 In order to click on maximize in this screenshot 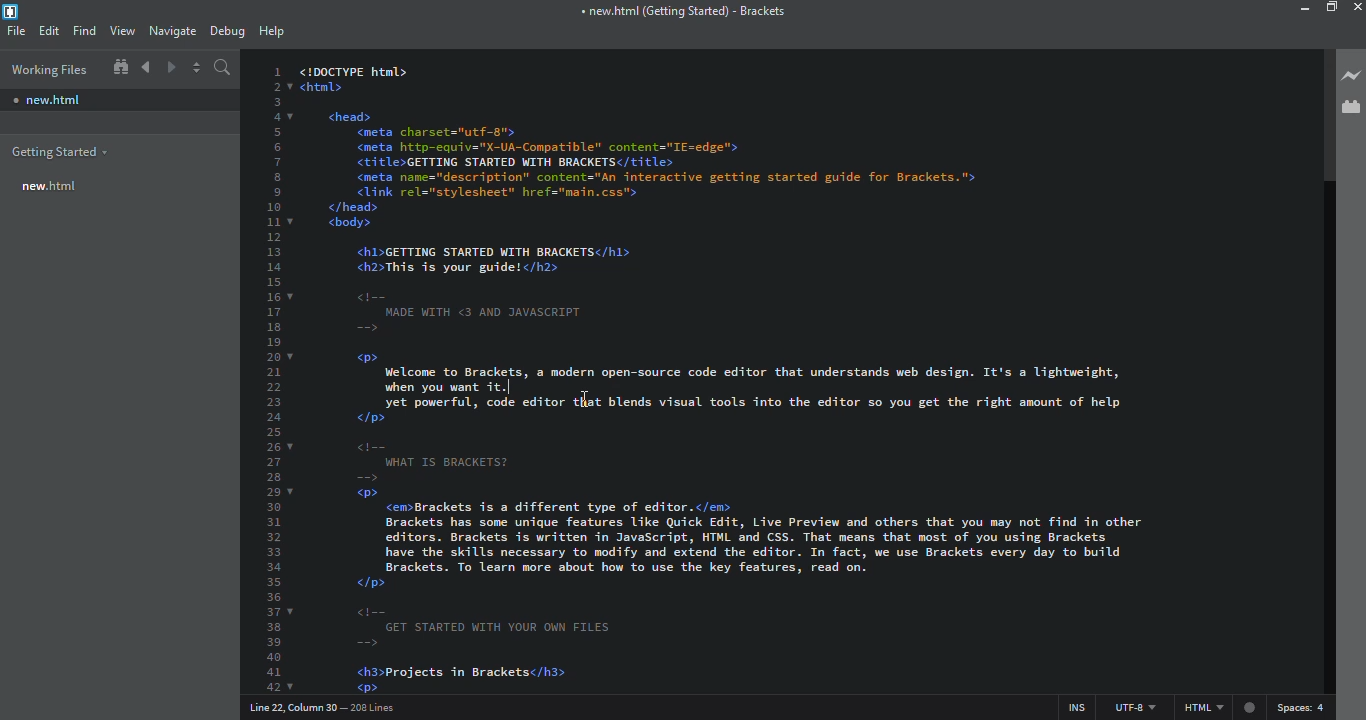, I will do `click(1331, 7)`.